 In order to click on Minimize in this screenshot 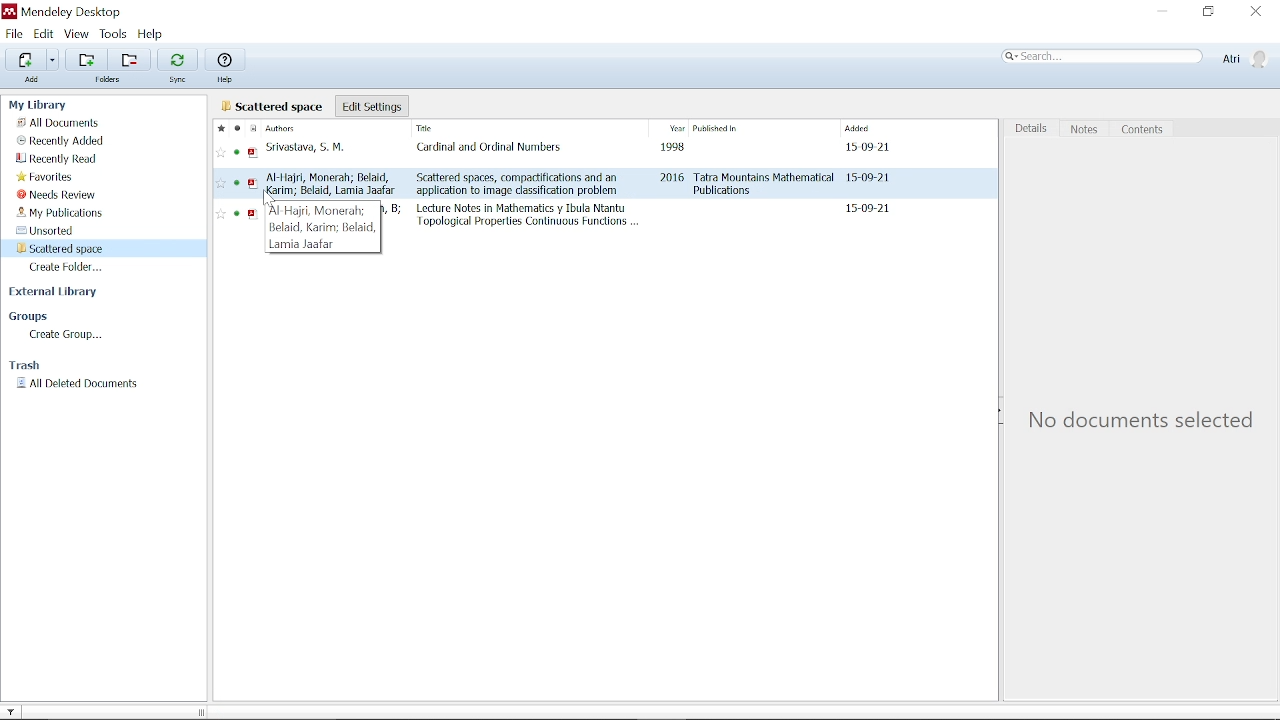, I will do `click(1162, 12)`.